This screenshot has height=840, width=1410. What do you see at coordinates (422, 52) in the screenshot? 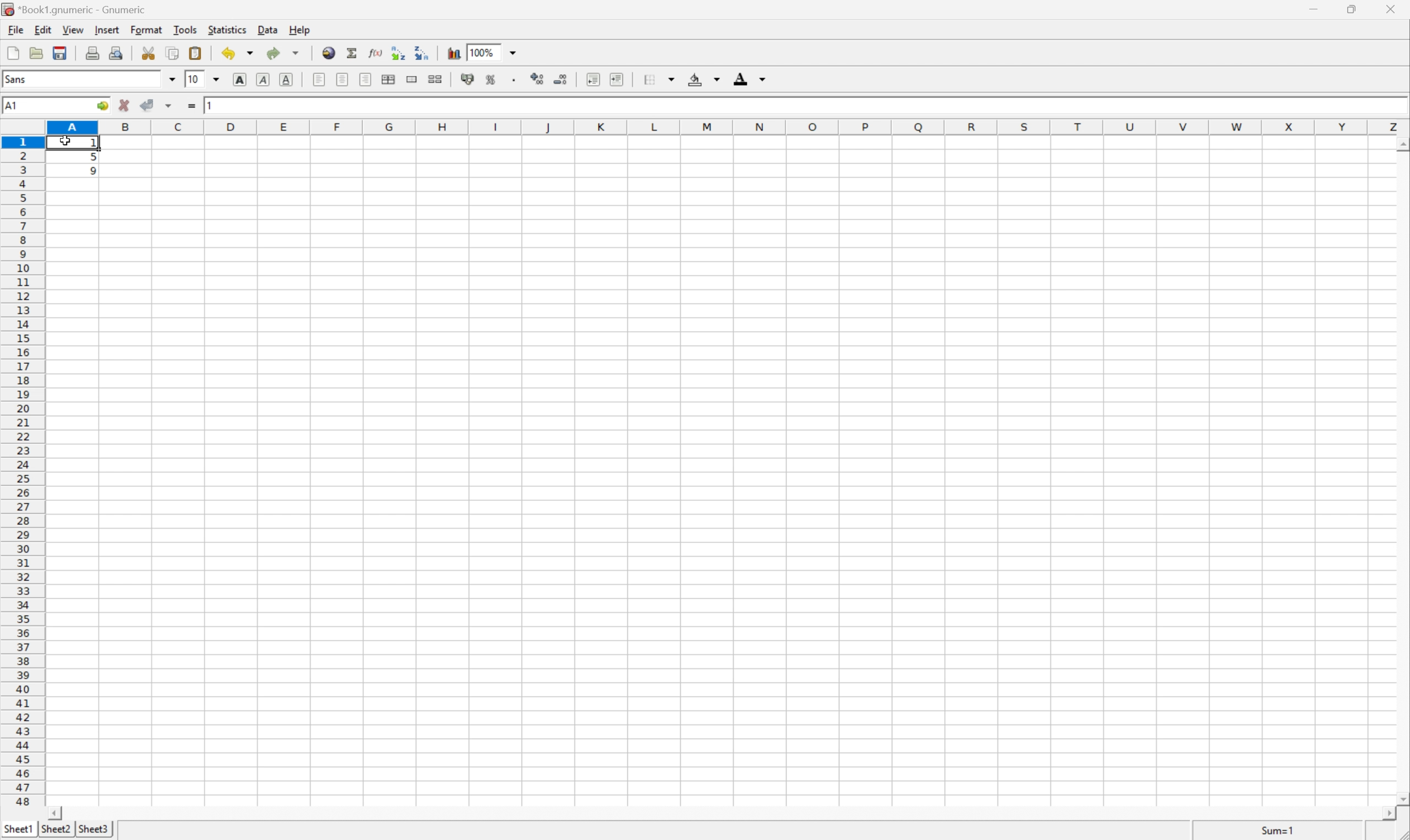
I see `Sort the selected region in descending order based on the first column selected` at bounding box center [422, 52].